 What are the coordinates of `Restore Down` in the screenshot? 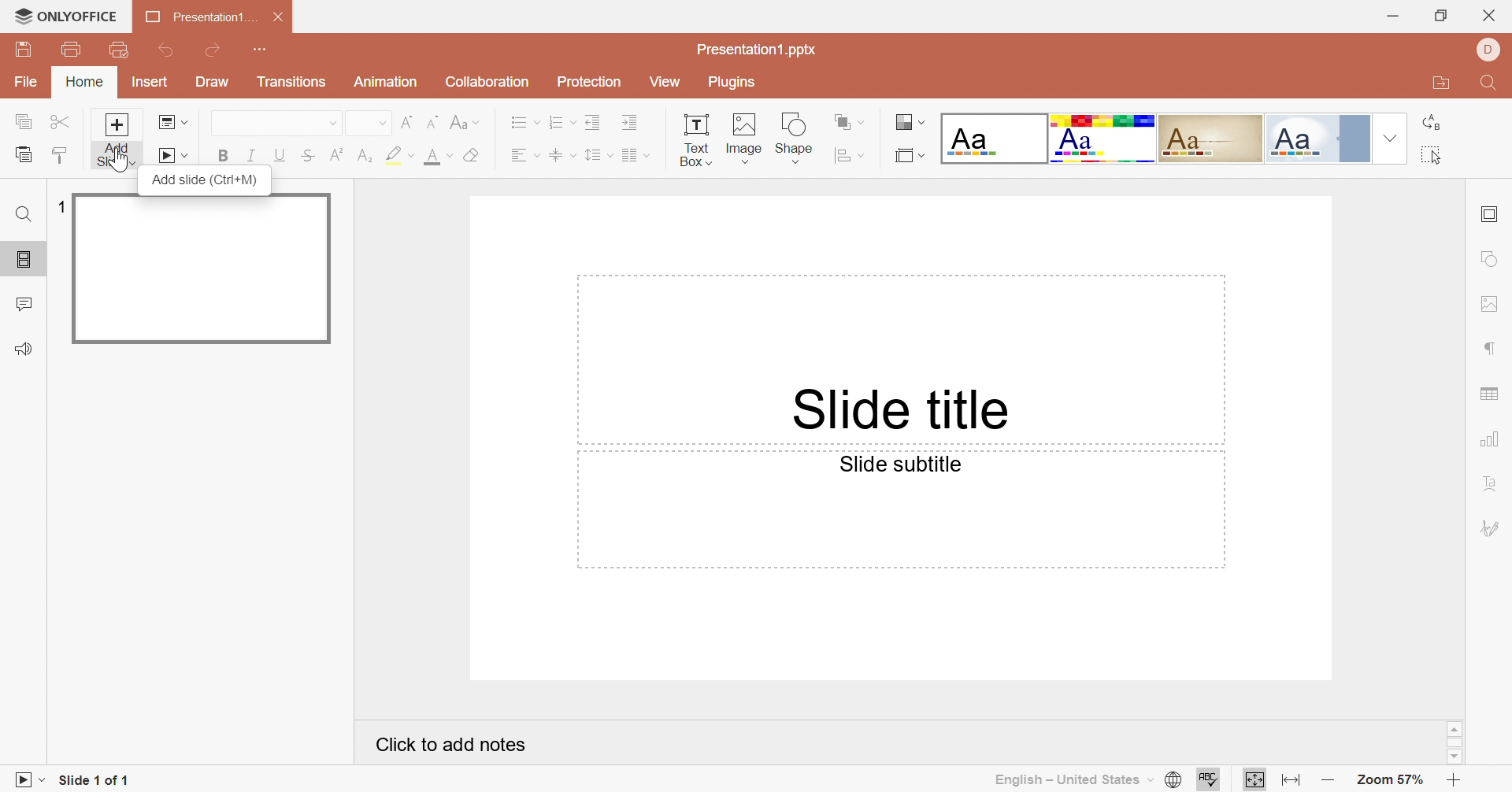 It's located at (1440, 18).